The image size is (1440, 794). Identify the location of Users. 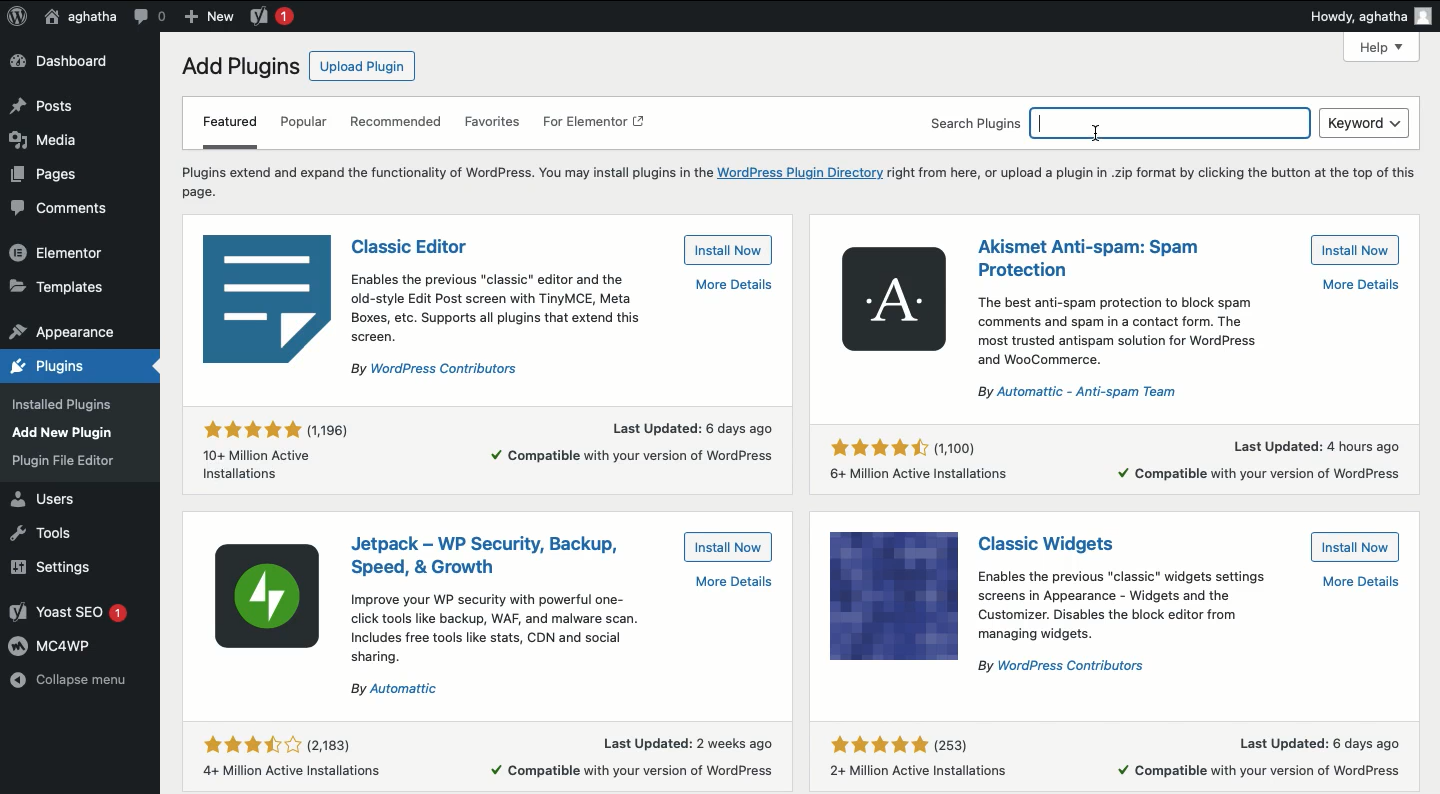
(50, 498).